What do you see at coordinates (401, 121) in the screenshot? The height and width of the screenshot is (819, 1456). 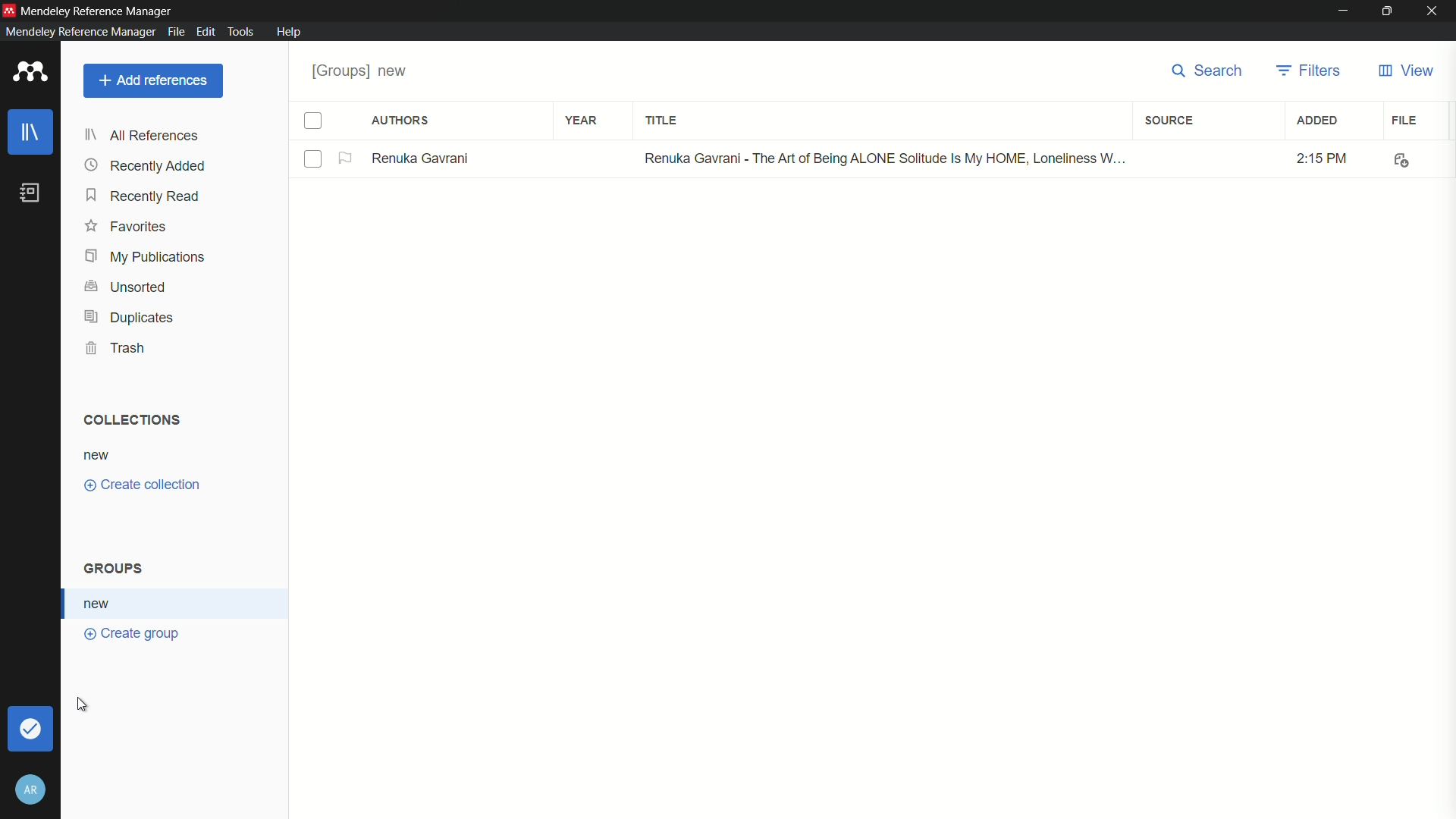 I see `authors` at bounding box center [401, 121].